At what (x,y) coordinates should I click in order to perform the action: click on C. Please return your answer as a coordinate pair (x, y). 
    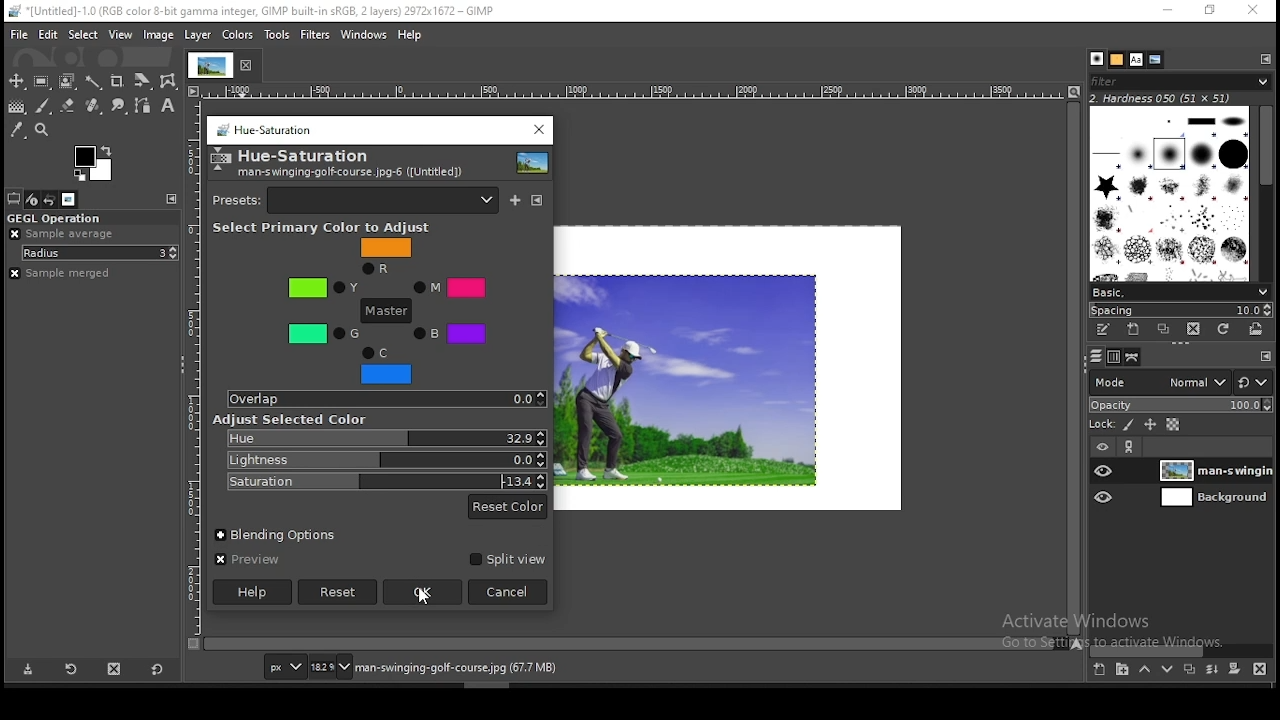
    Looking at the image, I should click on (386, 366).